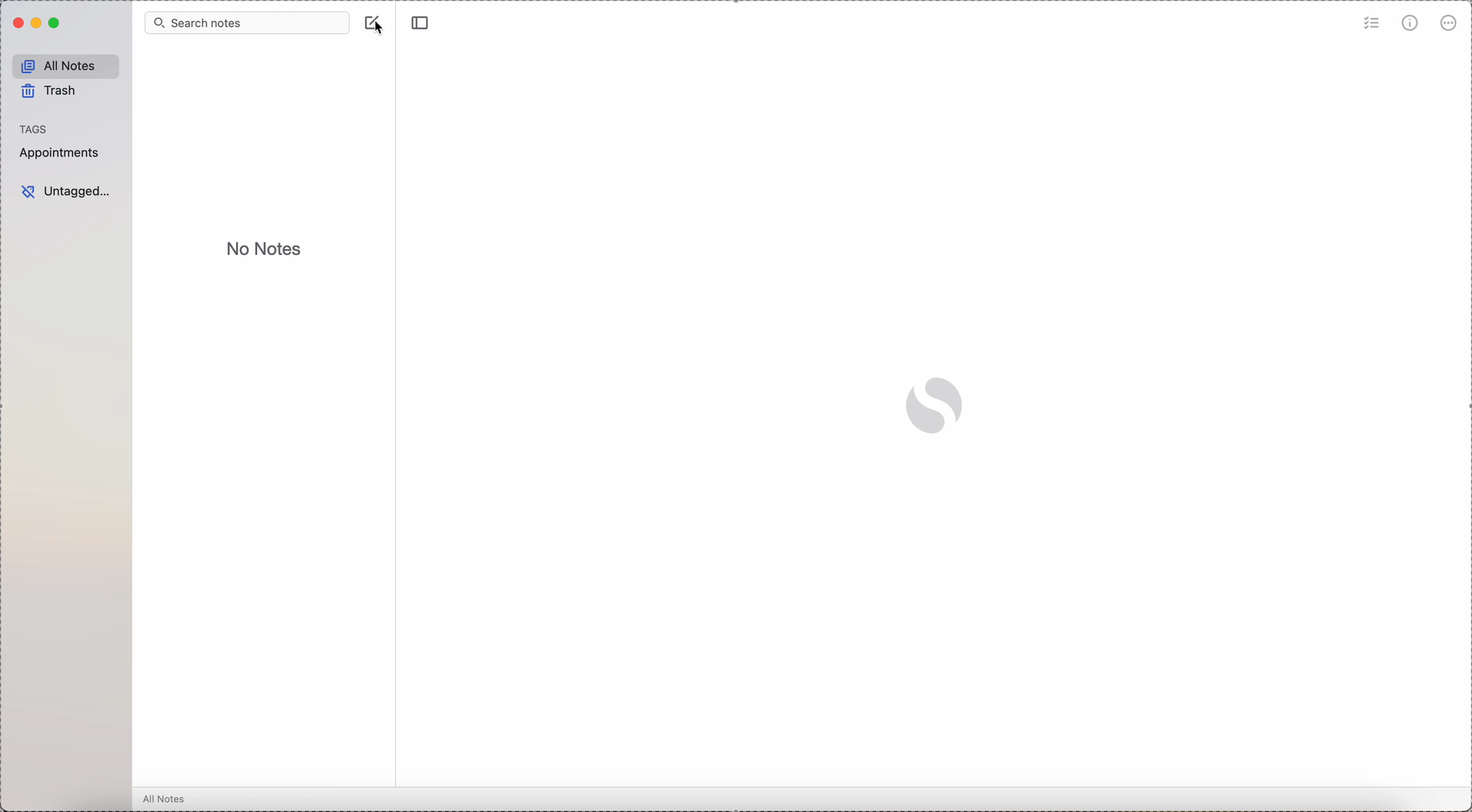  Describe the element at coordinates (1410, 24) in the screenshot. I see `metrics` at that location.